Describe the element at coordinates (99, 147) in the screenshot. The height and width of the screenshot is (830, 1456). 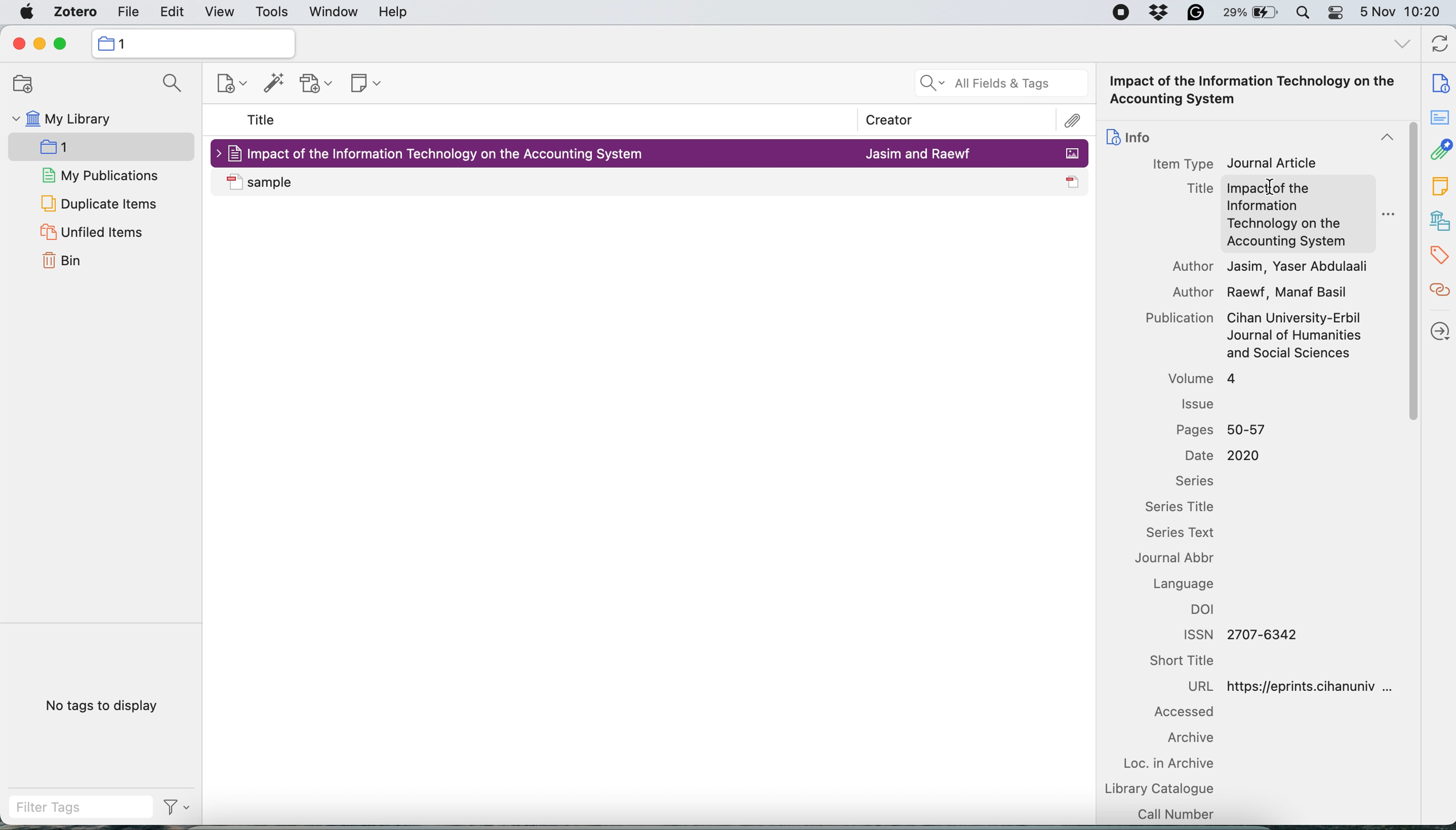
I see `new collection` at that location.